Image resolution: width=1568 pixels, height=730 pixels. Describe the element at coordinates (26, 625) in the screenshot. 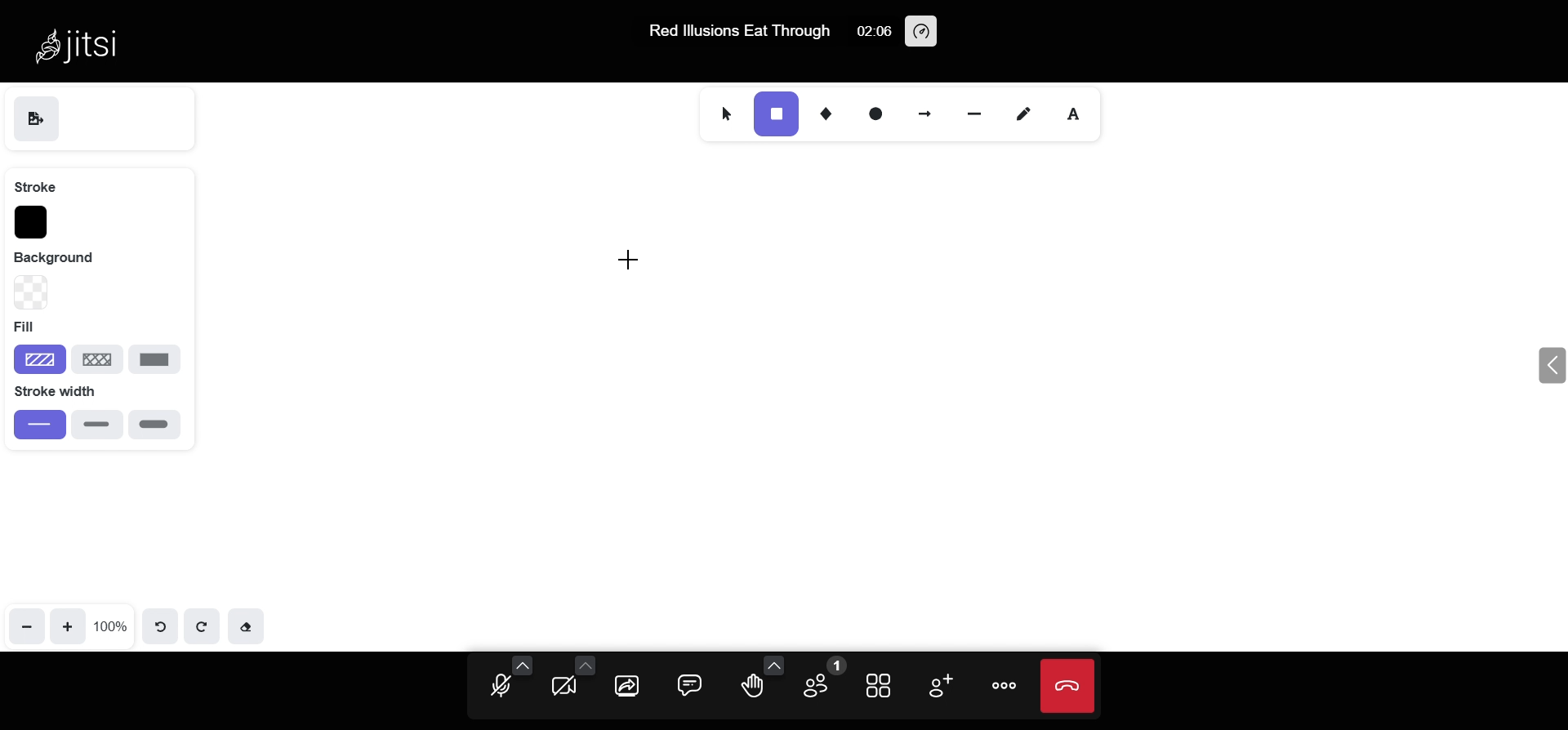

I see `zoom out` at that location.